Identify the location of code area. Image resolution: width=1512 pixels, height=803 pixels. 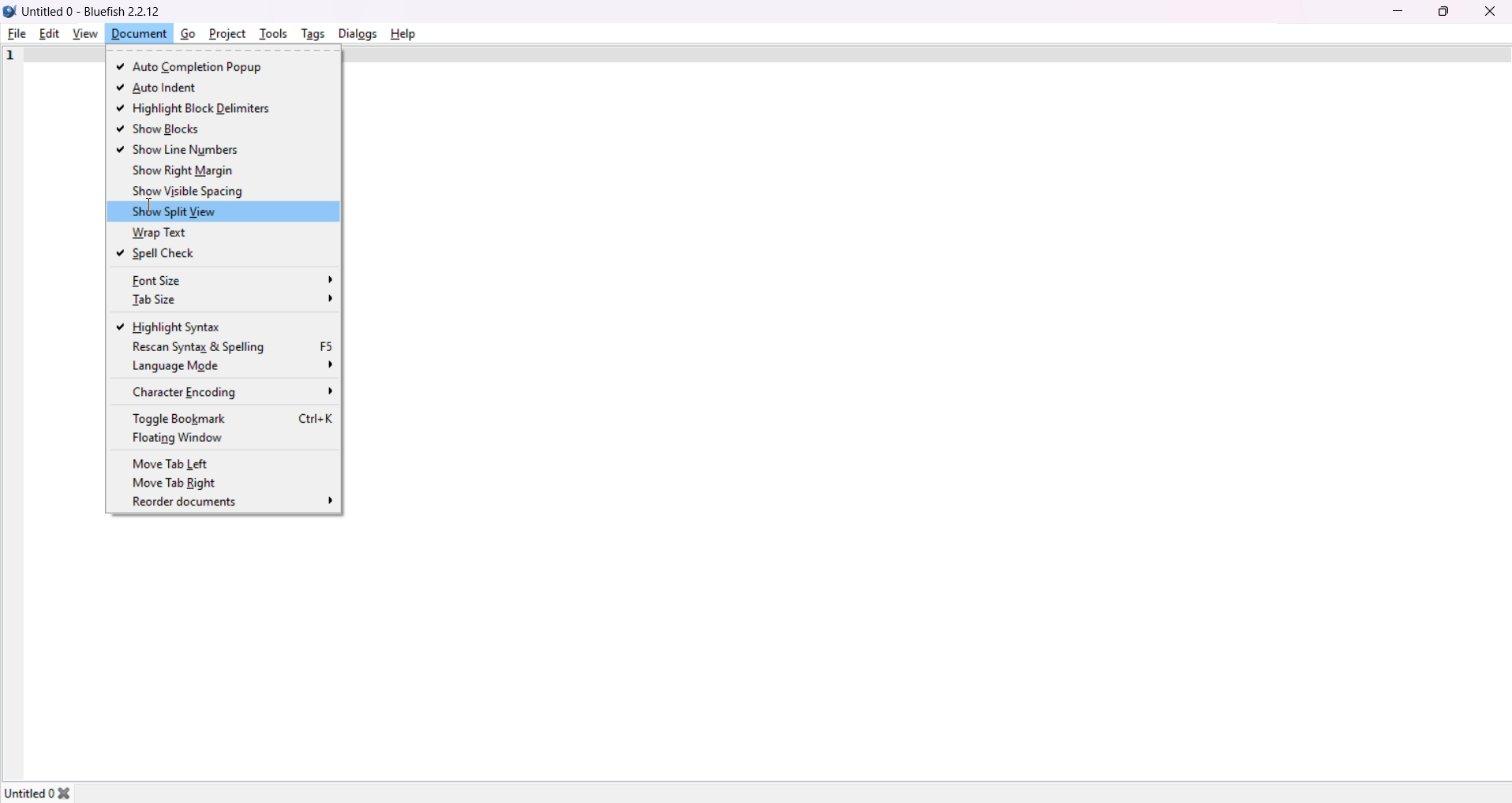
(927, 417).